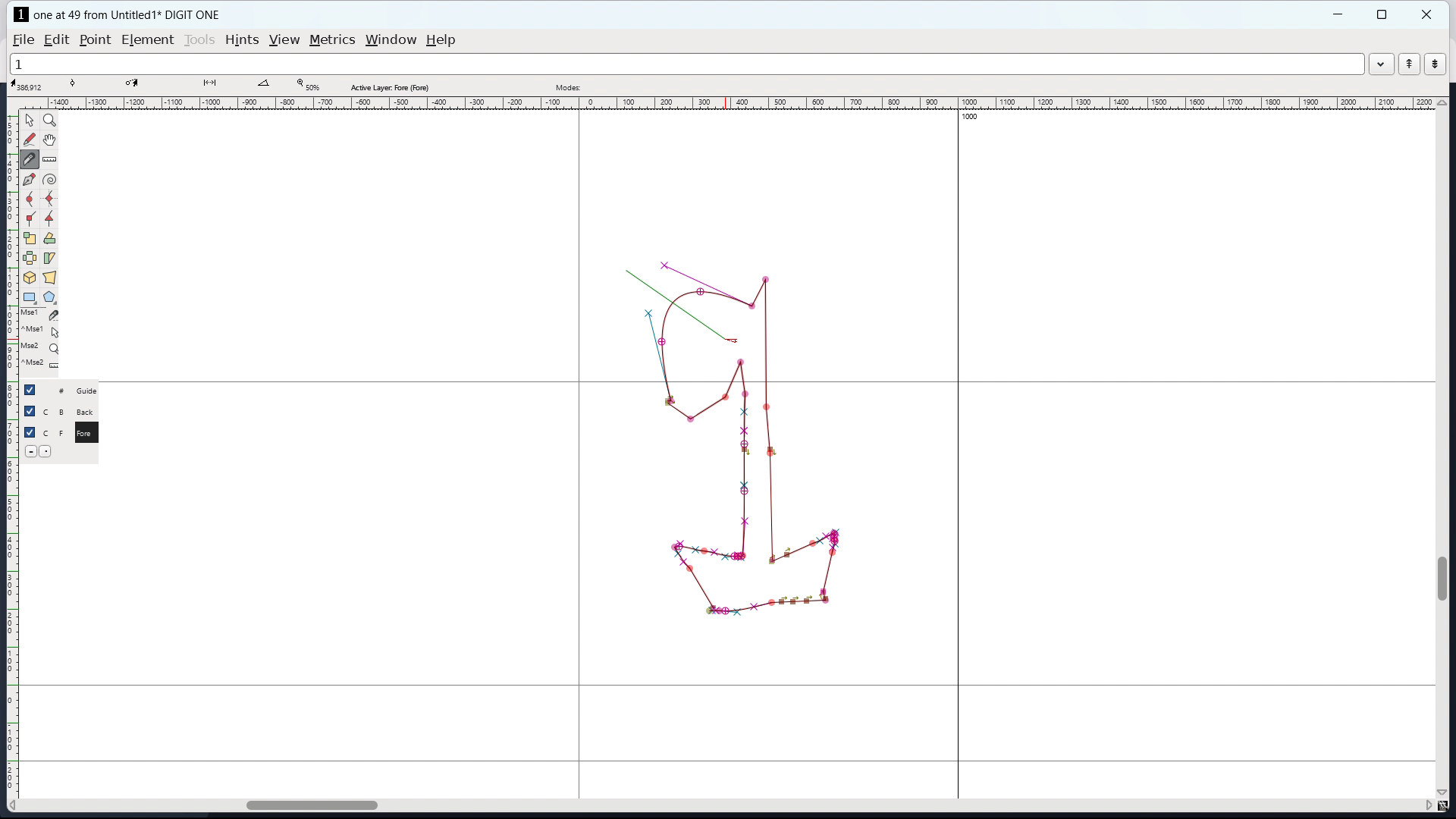  I want to click on one at 49 from Untitled1* DIGIT ONE, so click(135, 14).